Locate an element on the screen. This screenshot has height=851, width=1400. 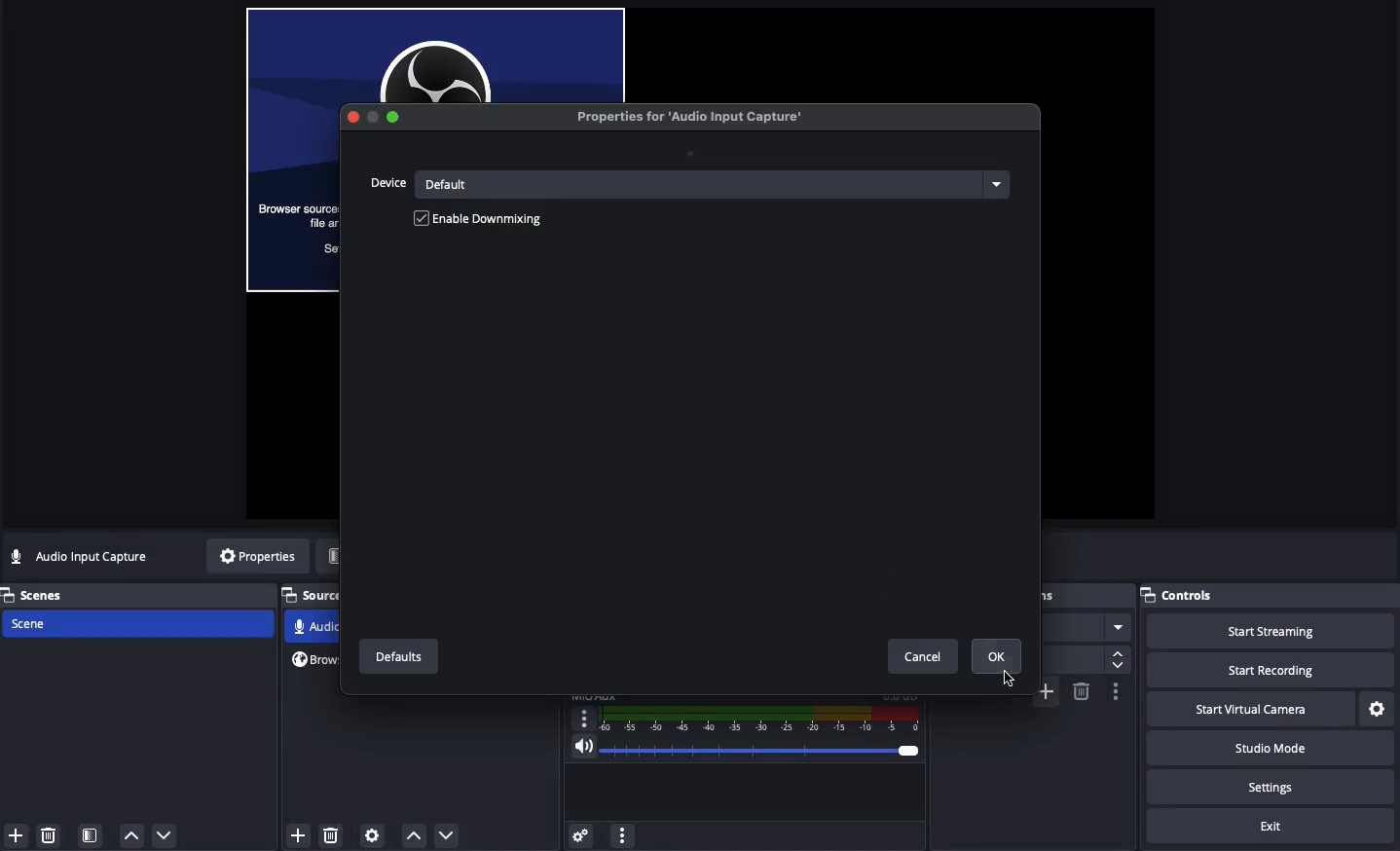
Scenes is located at coordinates (46, 595).